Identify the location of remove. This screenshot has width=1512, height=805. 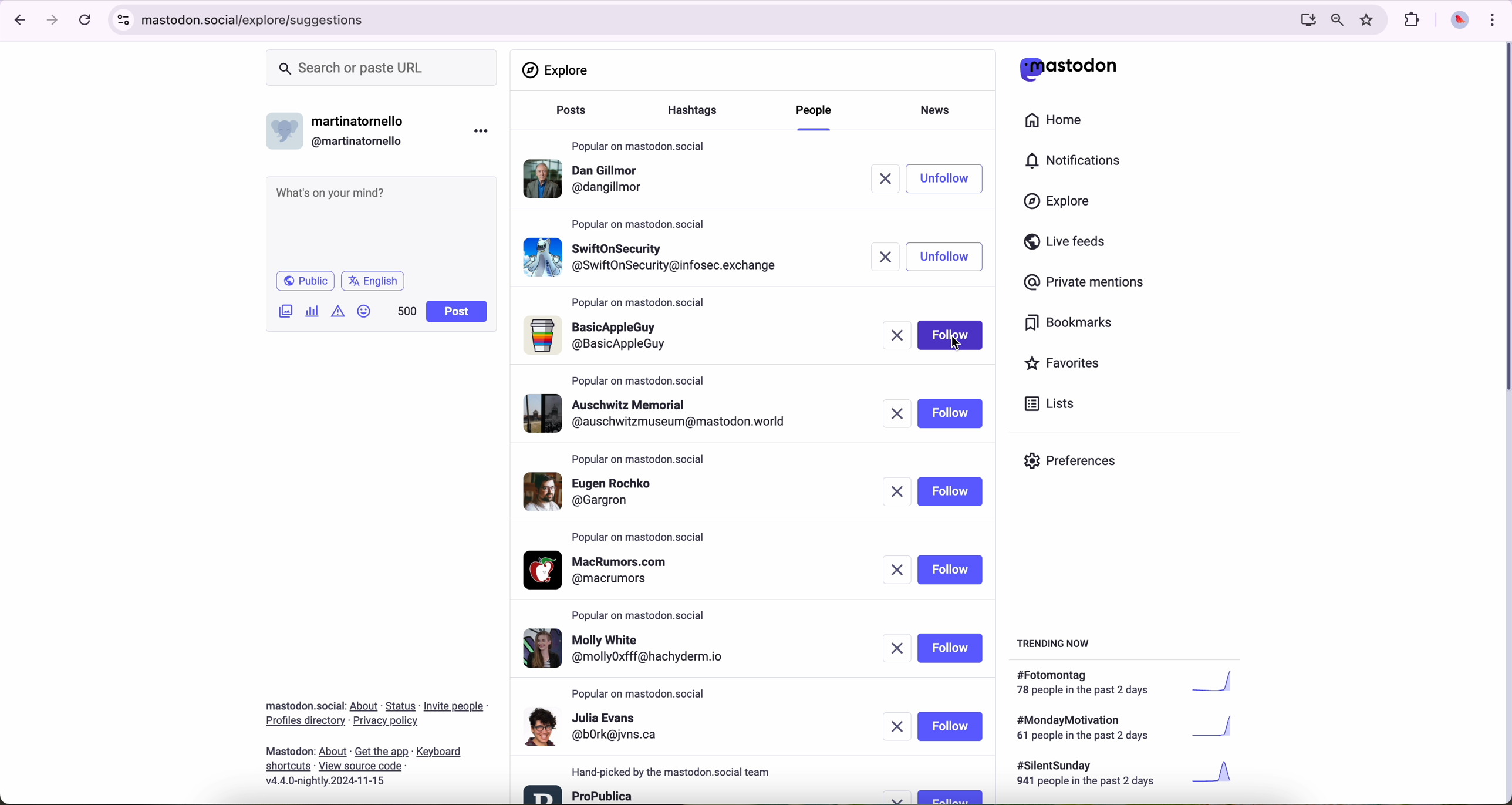
(899, 726).